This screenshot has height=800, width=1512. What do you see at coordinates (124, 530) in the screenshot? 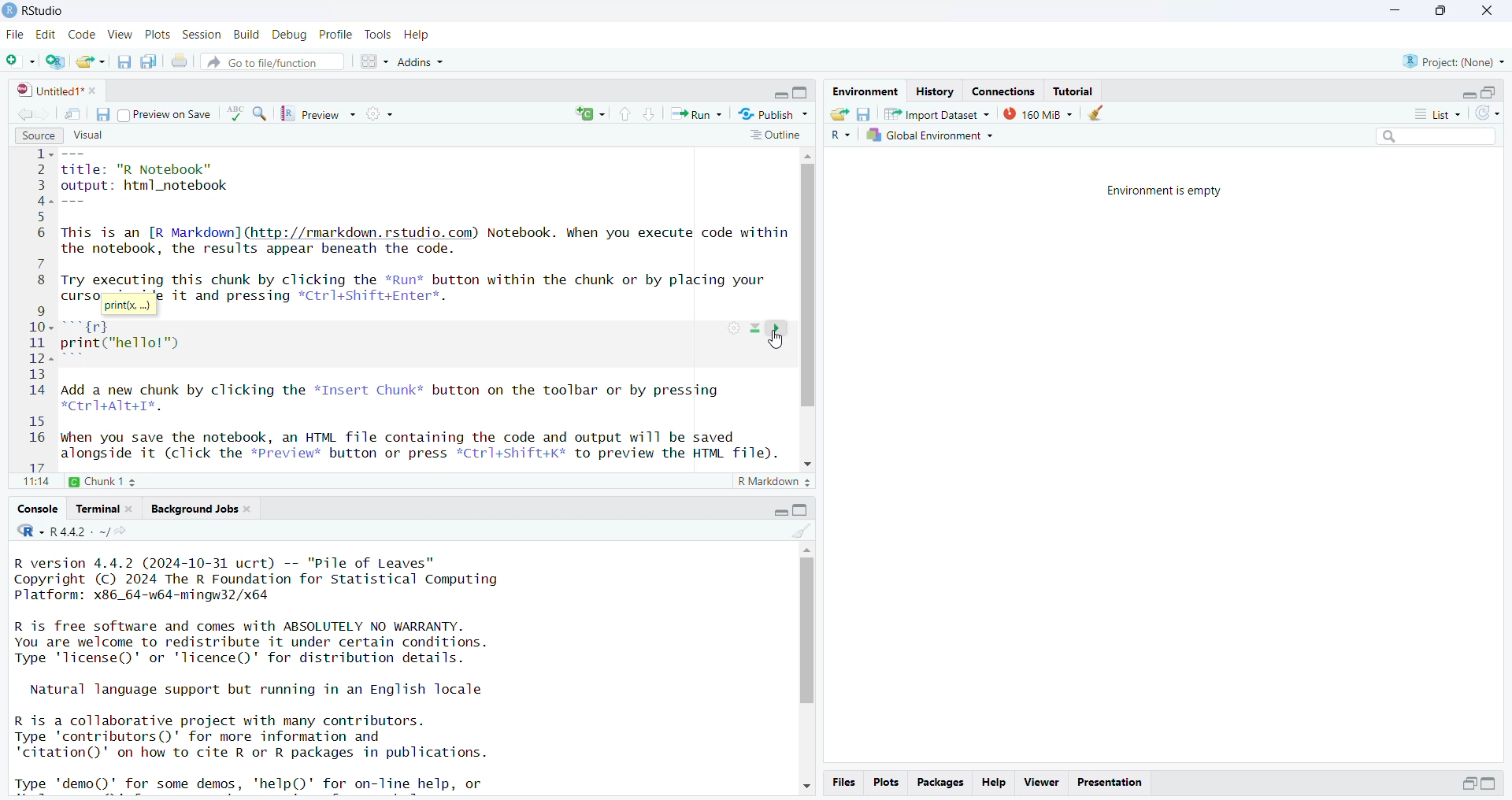
I see `view the current working directory` at bounding box center [124, 530].